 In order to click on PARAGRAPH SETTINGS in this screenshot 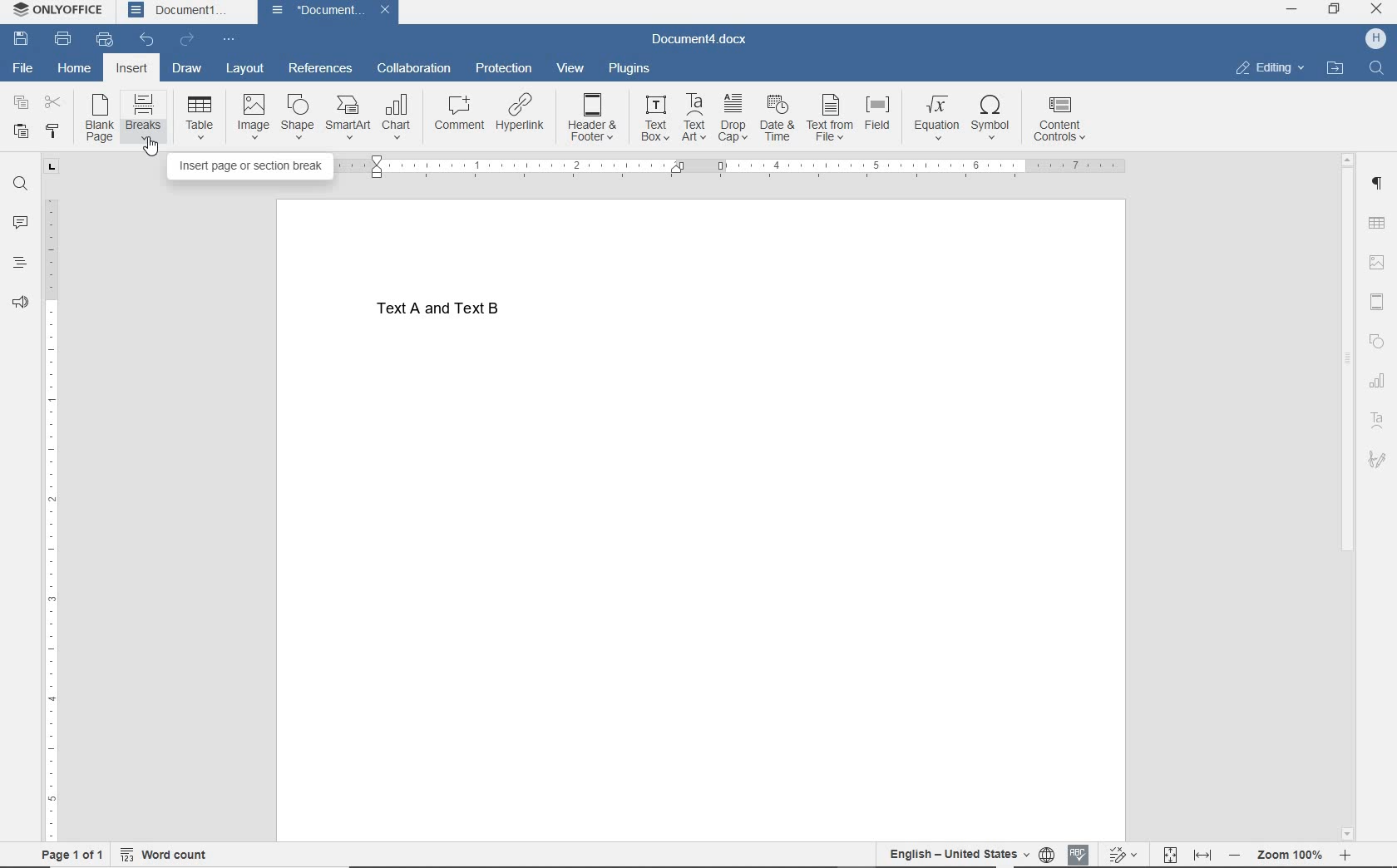, I will do `click(1377, 184)`.